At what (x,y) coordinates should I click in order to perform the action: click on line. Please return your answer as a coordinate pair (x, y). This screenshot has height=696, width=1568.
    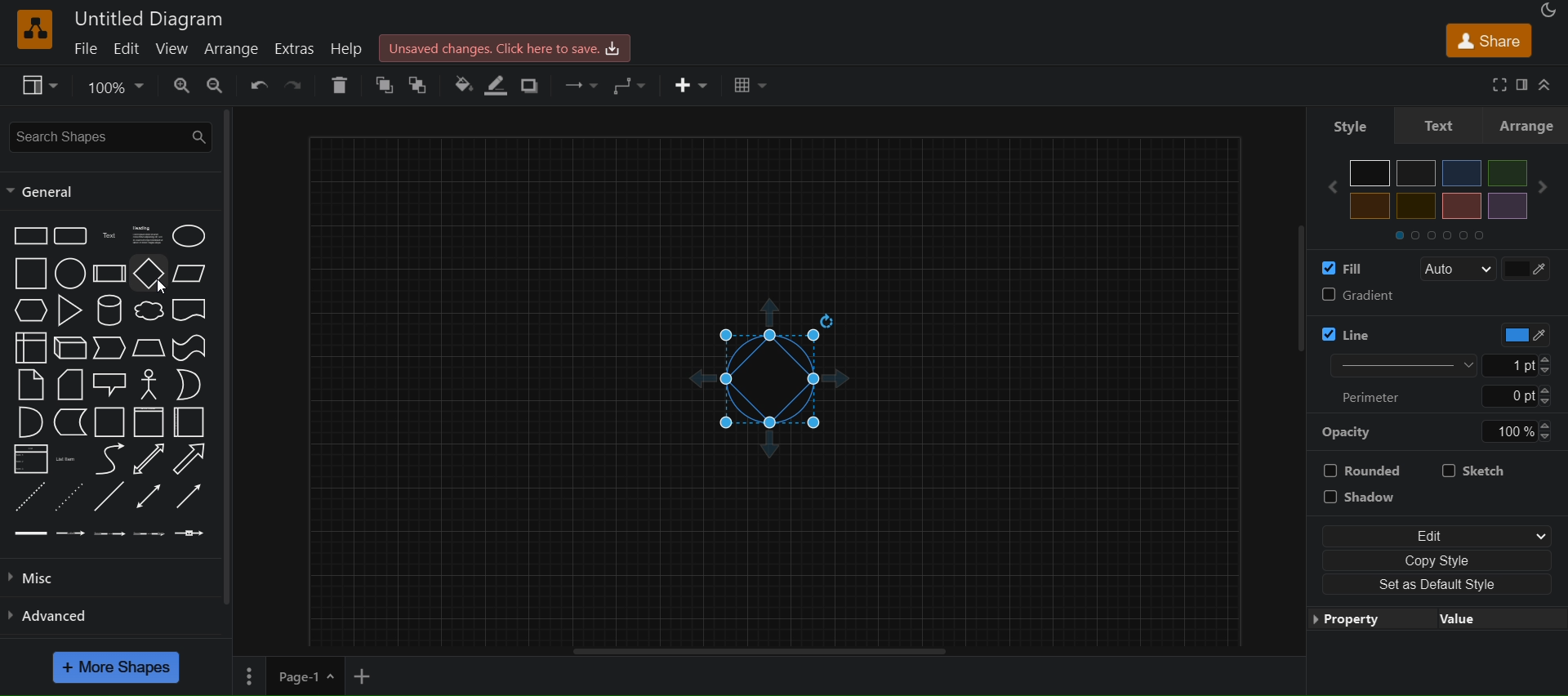
    Looking at the image, I should click on (109, 498).